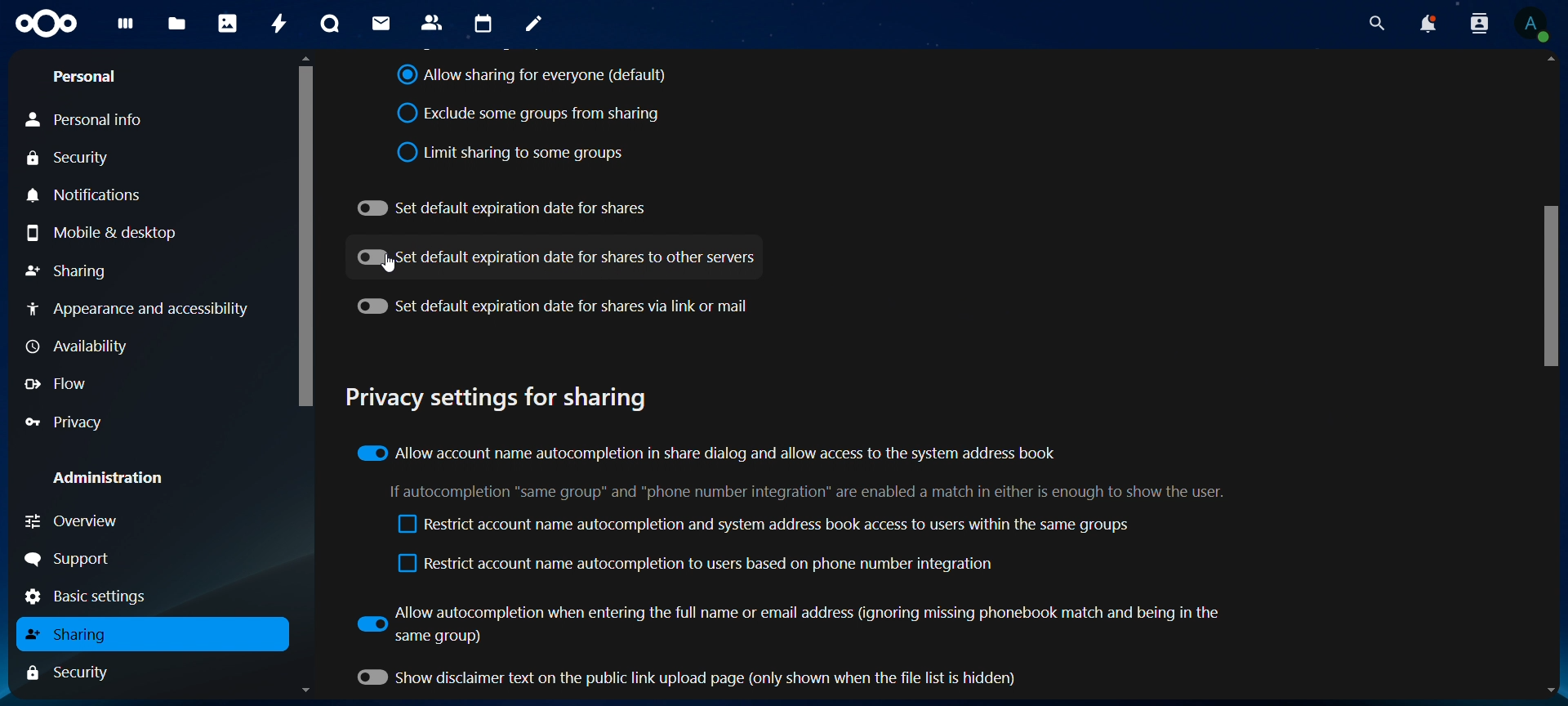 The height and width of the screenshot is (706, 1568). What do you see at coordinates (533, 24) in the screenshot?
I see `notes` at bounding box center [533, 24].